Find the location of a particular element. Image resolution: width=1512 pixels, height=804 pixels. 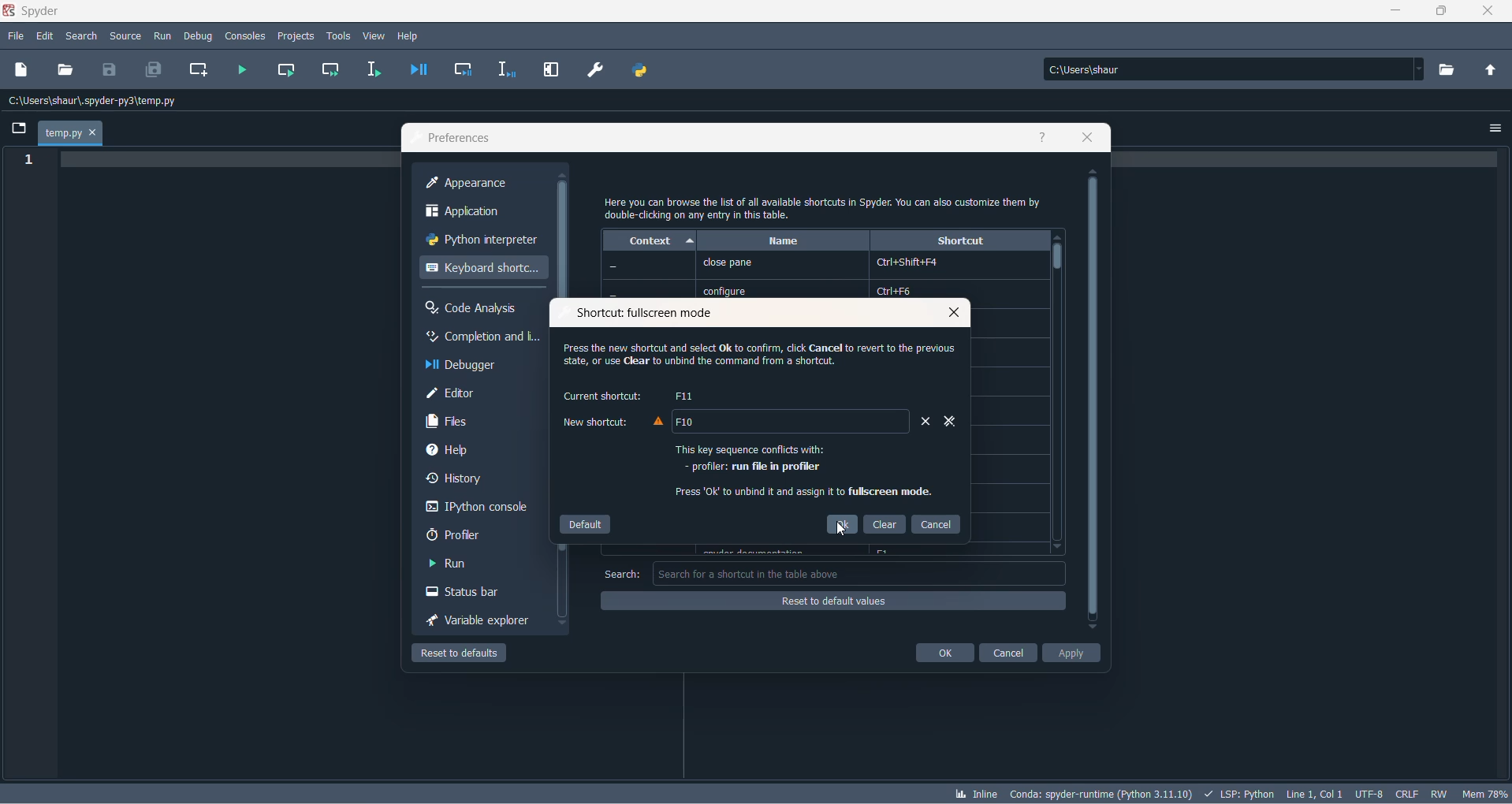

ok is located at coordinates (945, 653).